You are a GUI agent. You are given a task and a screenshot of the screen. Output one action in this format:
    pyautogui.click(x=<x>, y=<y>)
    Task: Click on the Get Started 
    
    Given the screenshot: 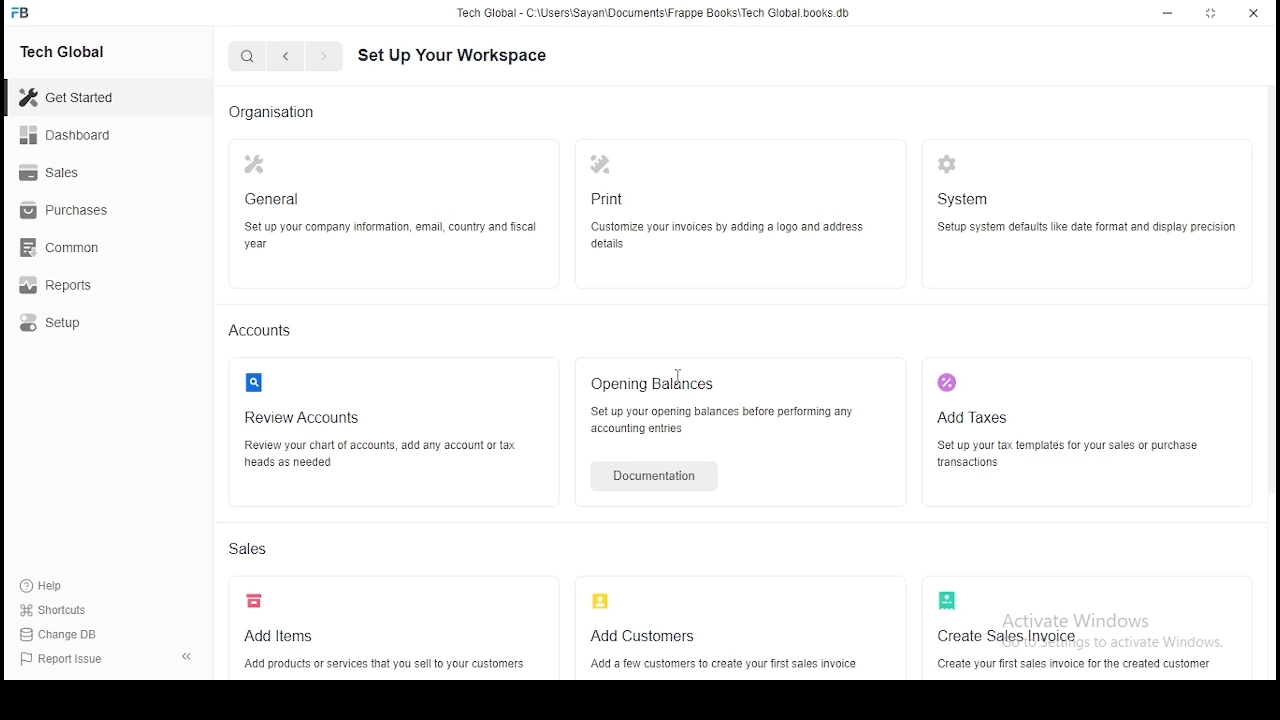 What is the action you would take?
    pyautogui.click(x=91, y=97)
    